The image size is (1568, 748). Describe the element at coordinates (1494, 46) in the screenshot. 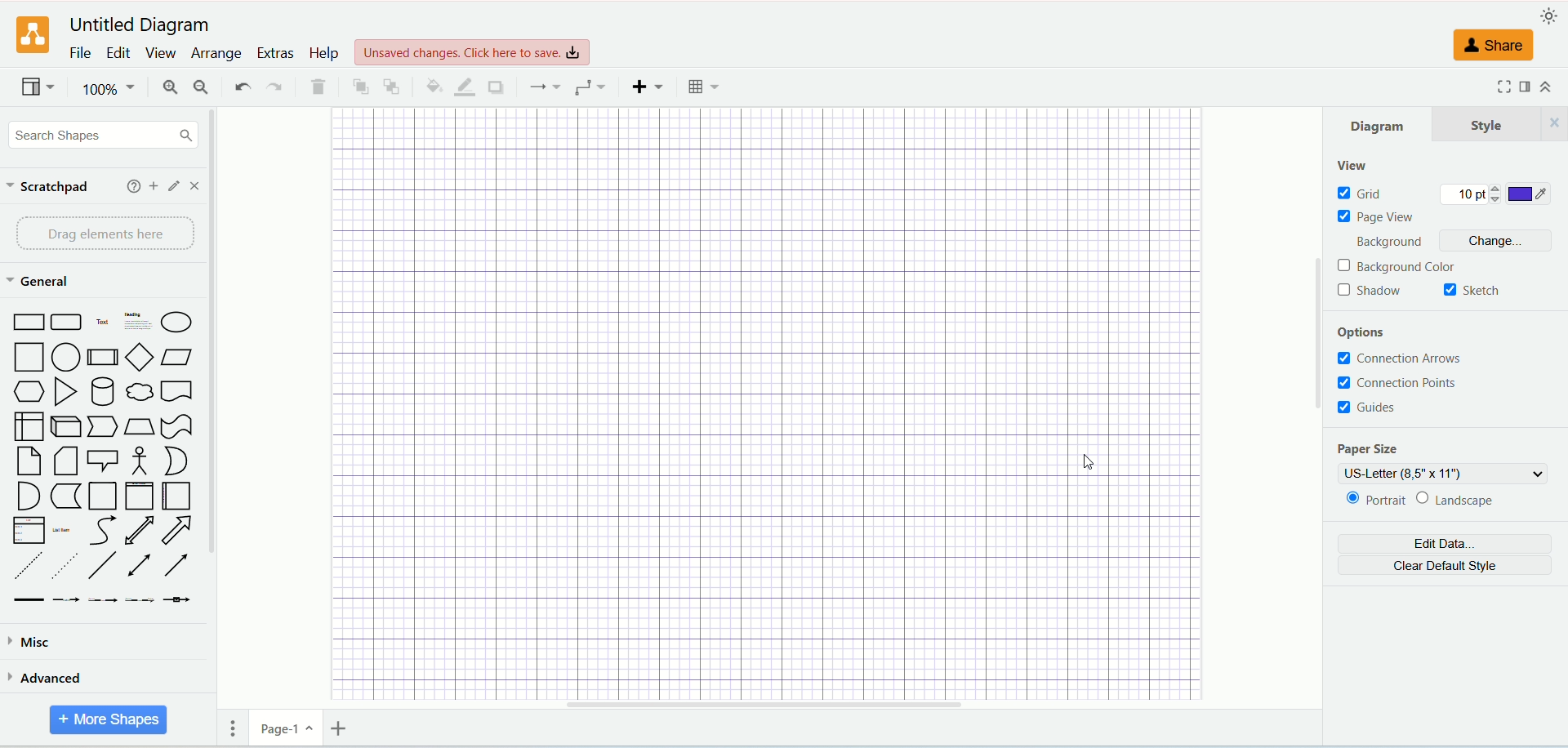

I see `share` at that location.